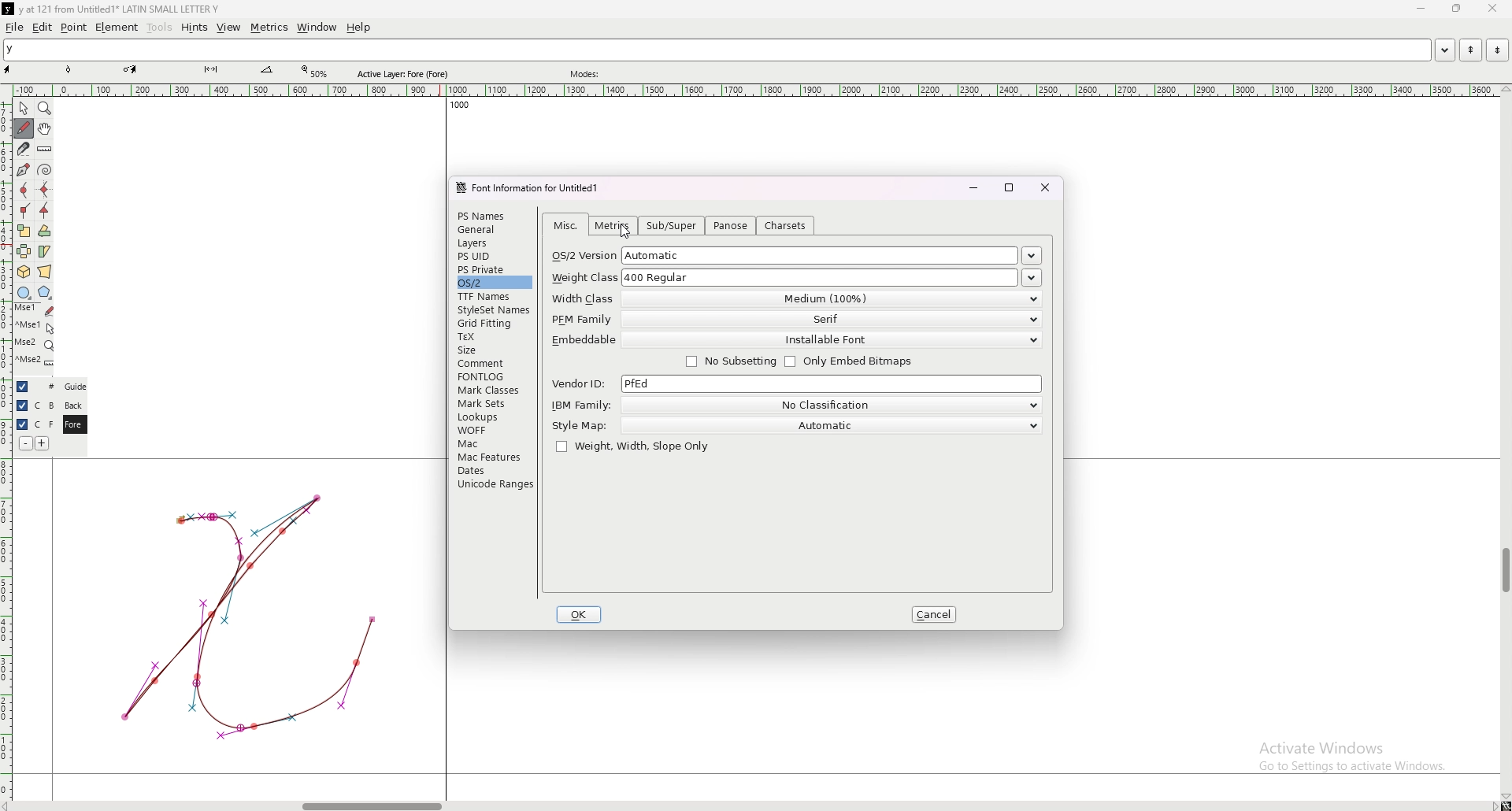 The width and height of the screenshot is (1512, 811). I want to click on minimize, so click(1423, 9).